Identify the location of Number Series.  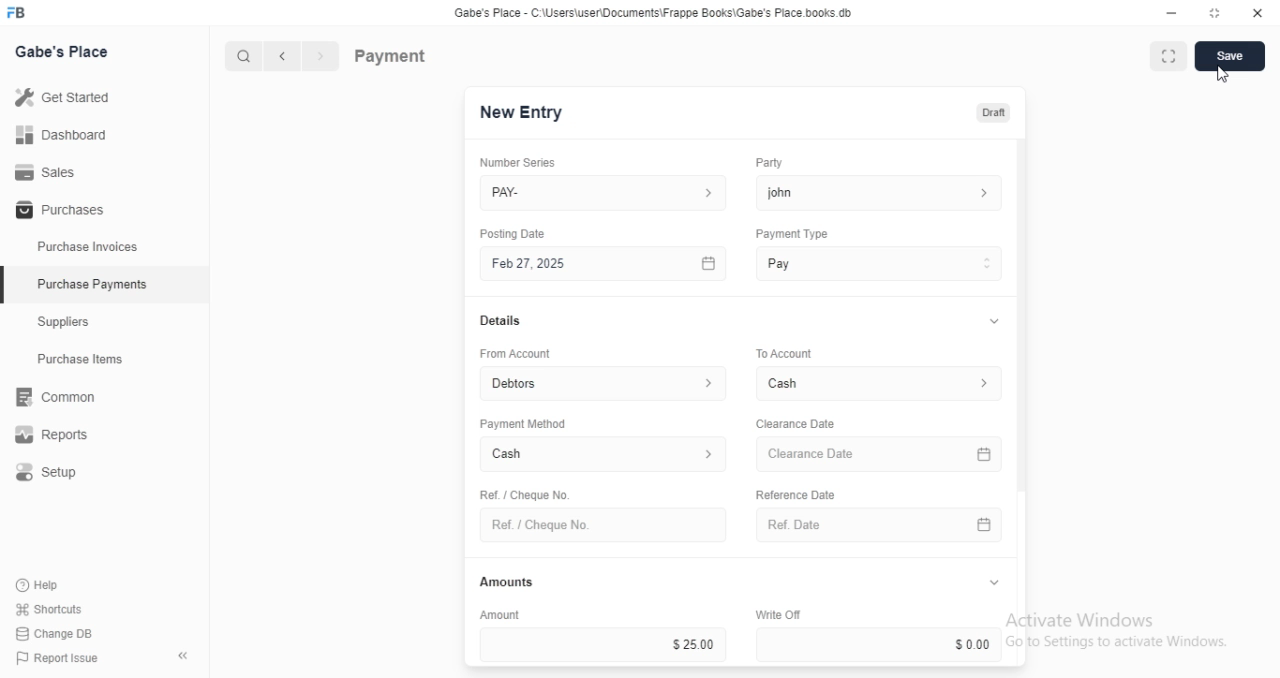
(510, 162).